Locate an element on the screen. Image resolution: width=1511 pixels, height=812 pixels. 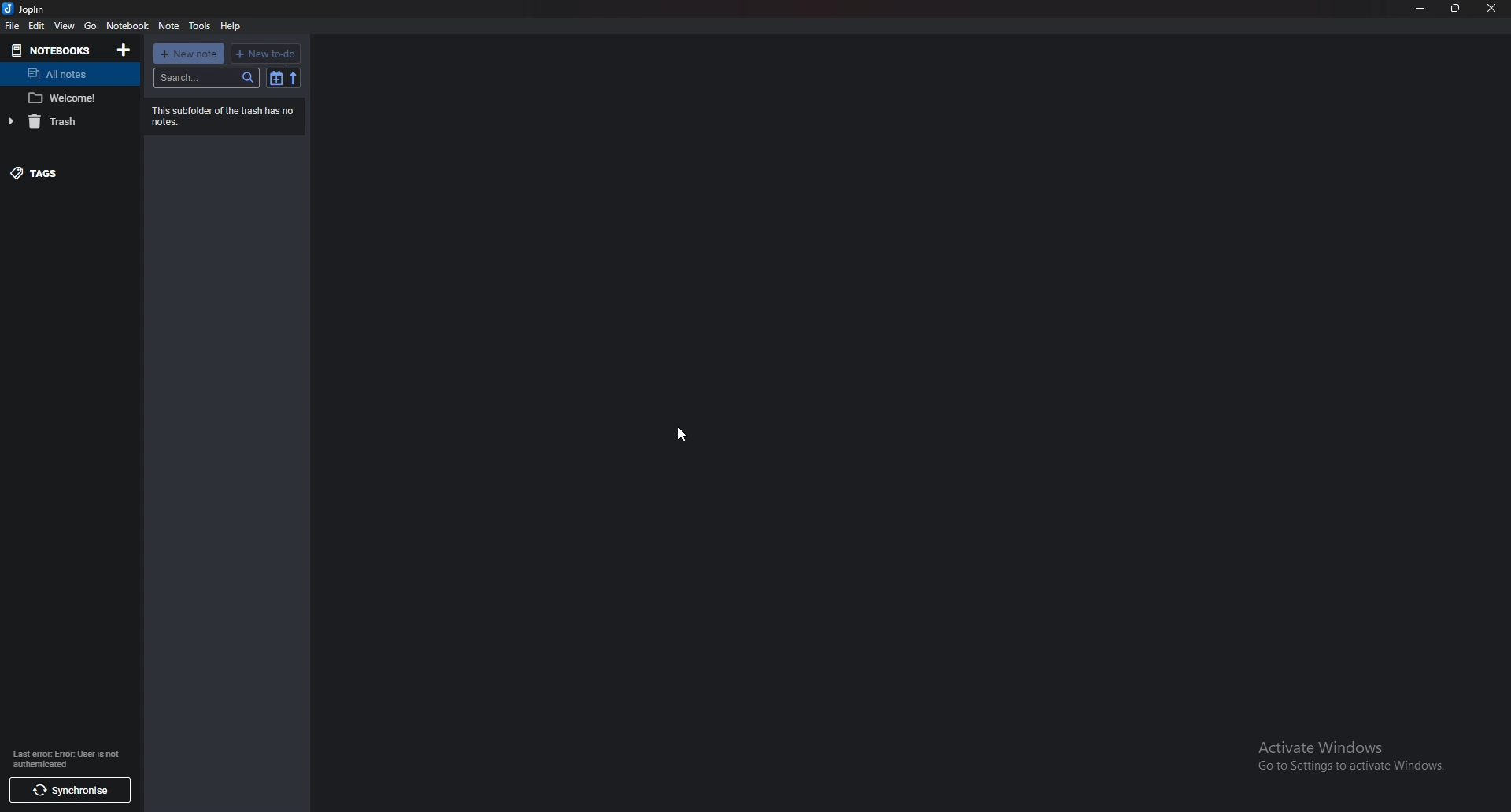
reverse sort order is located at coordinates (293, 78).